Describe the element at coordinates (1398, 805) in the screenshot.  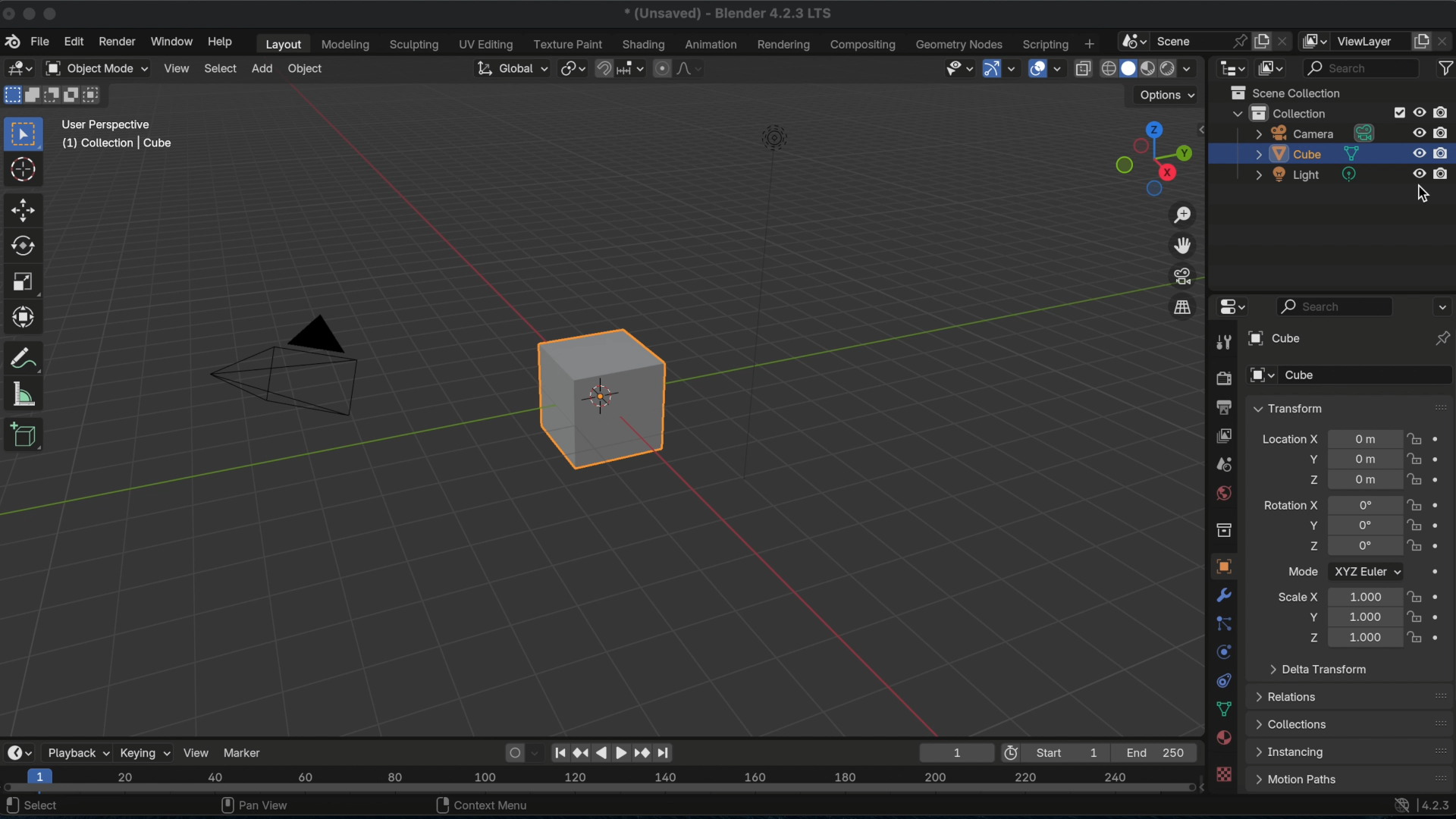
I see `online access` at that location.